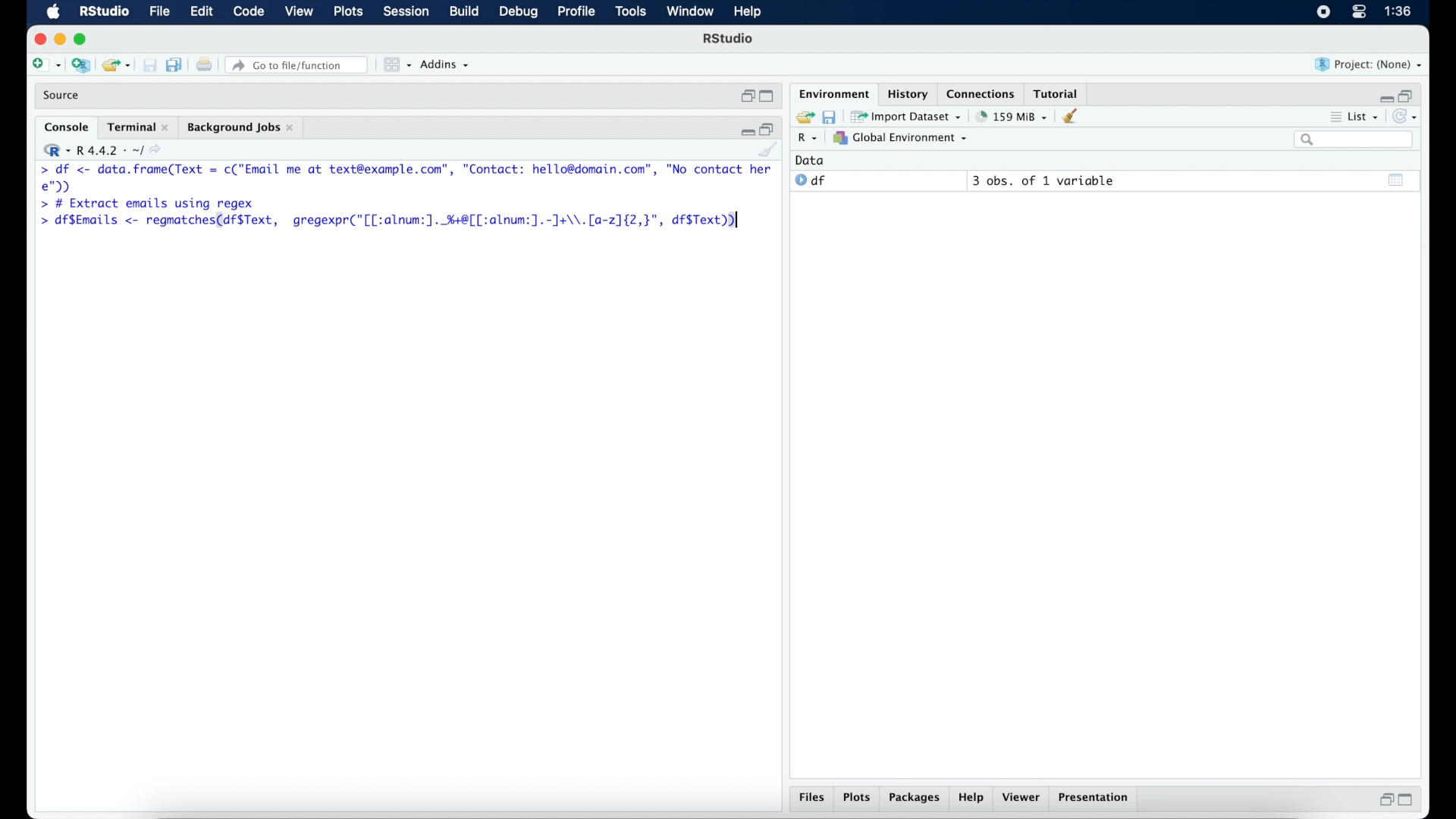 This screenshot has height=819, width=1456. What do you see at coordinates (805, 115) in the screenshot?
I see `load workspace` at bounding box center [805, 115].